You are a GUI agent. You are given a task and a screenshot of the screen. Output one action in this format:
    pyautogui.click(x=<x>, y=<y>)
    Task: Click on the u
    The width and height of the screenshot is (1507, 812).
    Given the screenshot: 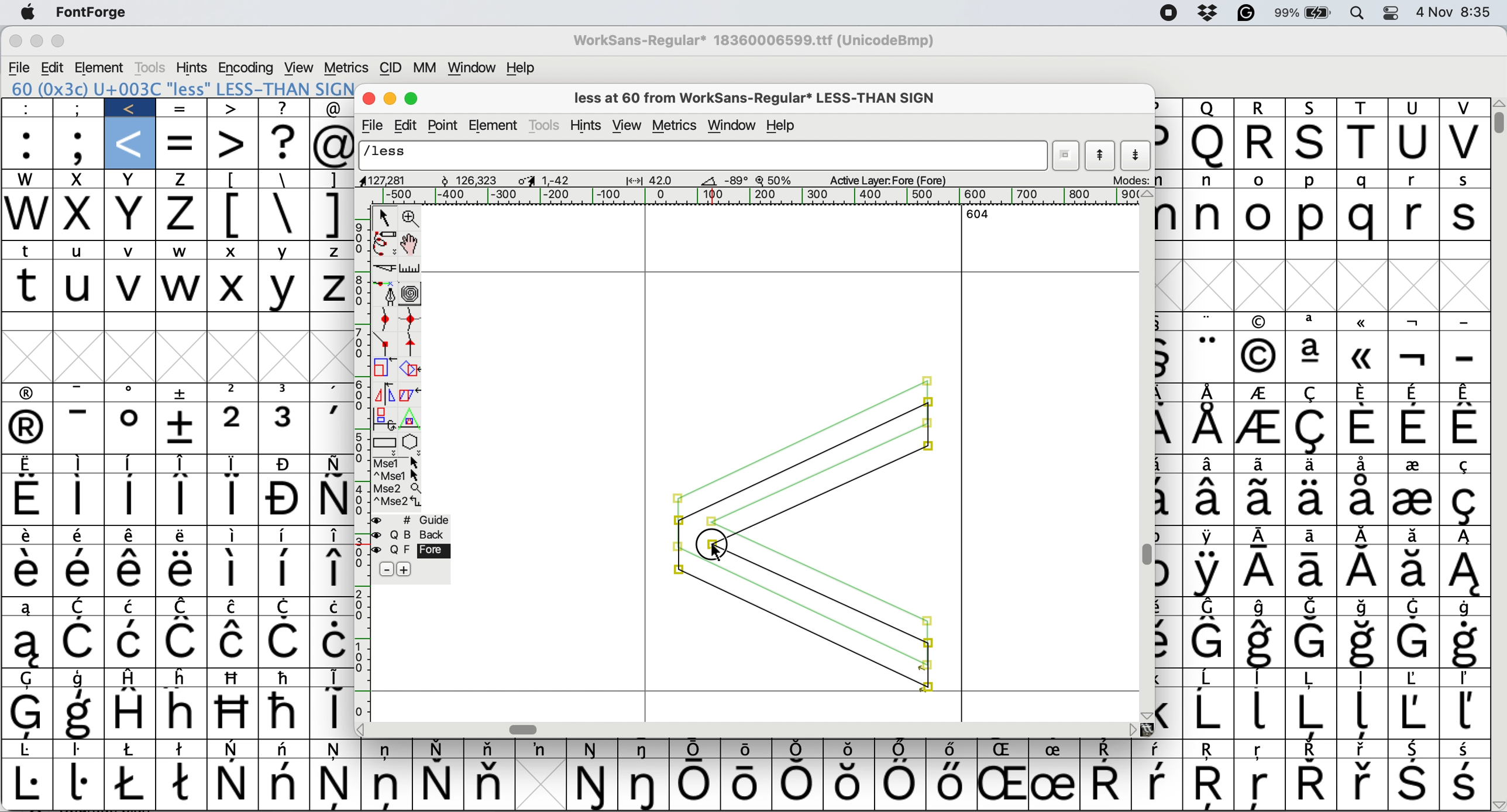 What is the action you would take?
    pyautogui.click(x=80, y=287)
    